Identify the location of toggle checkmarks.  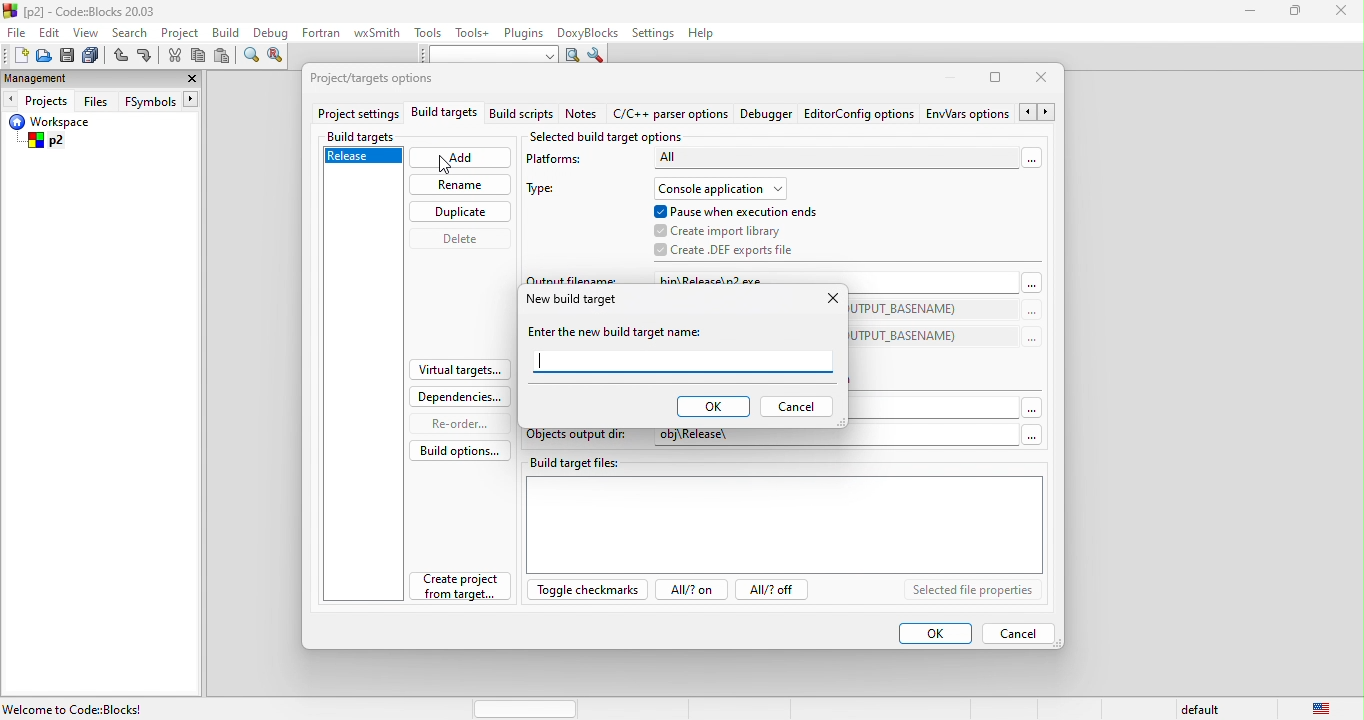
(588, 589).